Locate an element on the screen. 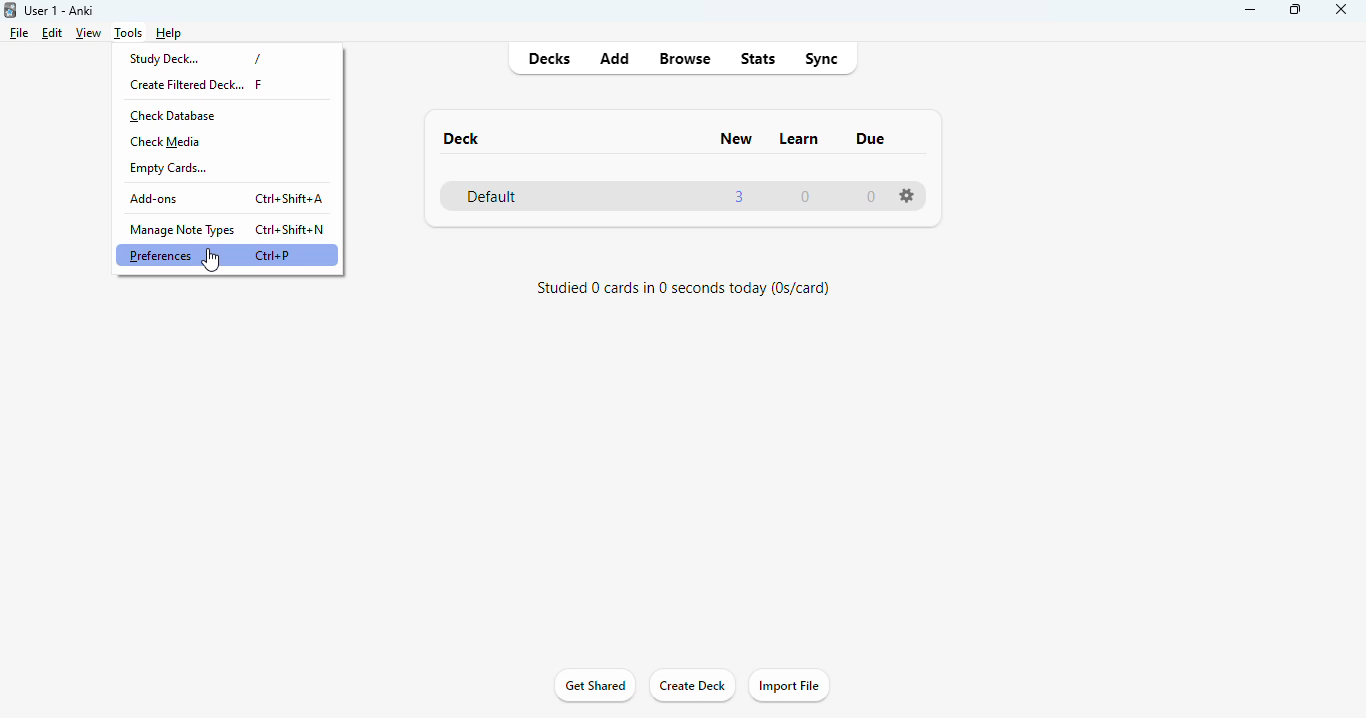 The height and width of the screenshot is (718, 1366). deck is located at coordinates (461, 139).